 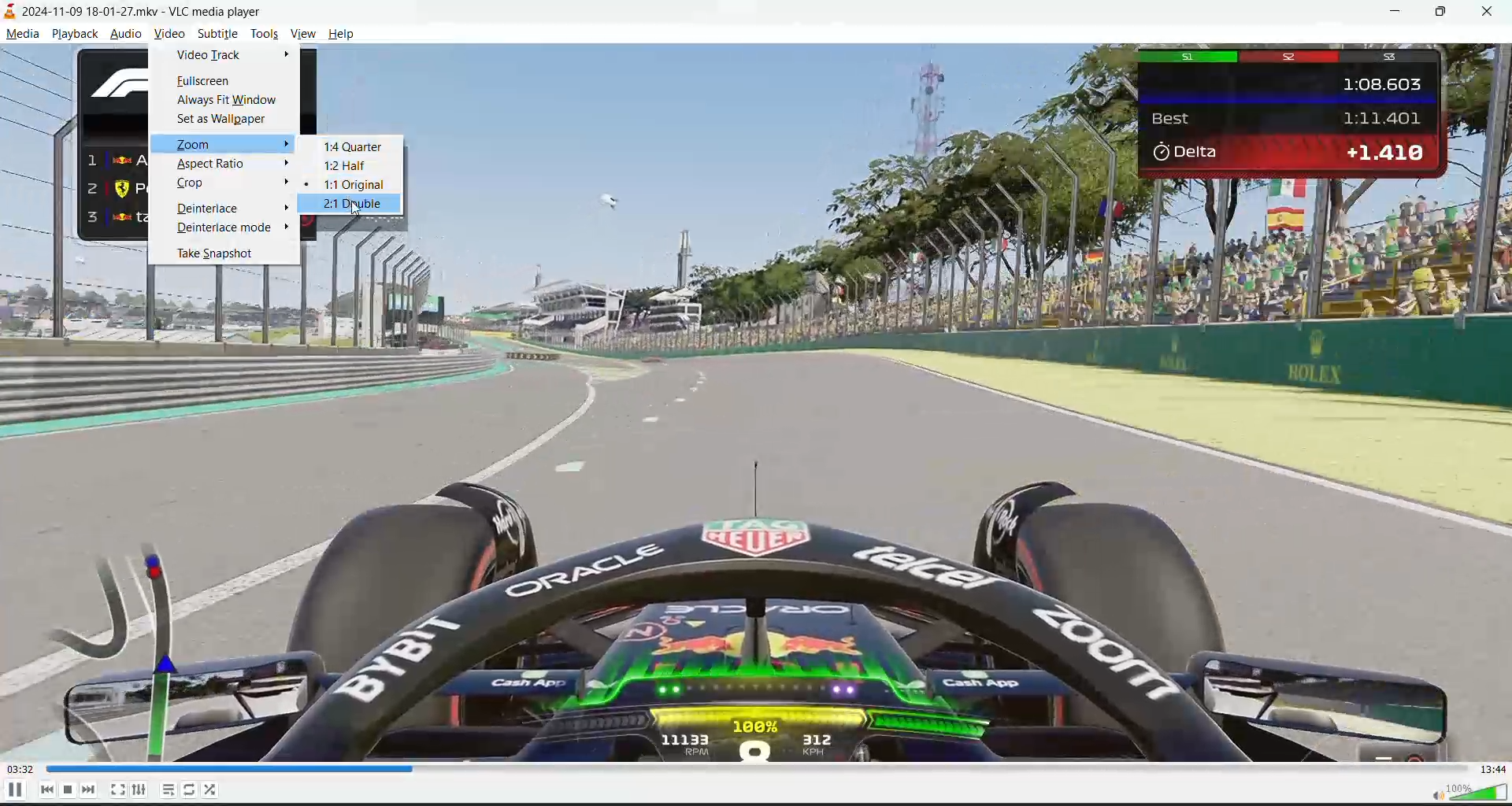 I want to click on set as wallpaper, so click(x=227, y=118).